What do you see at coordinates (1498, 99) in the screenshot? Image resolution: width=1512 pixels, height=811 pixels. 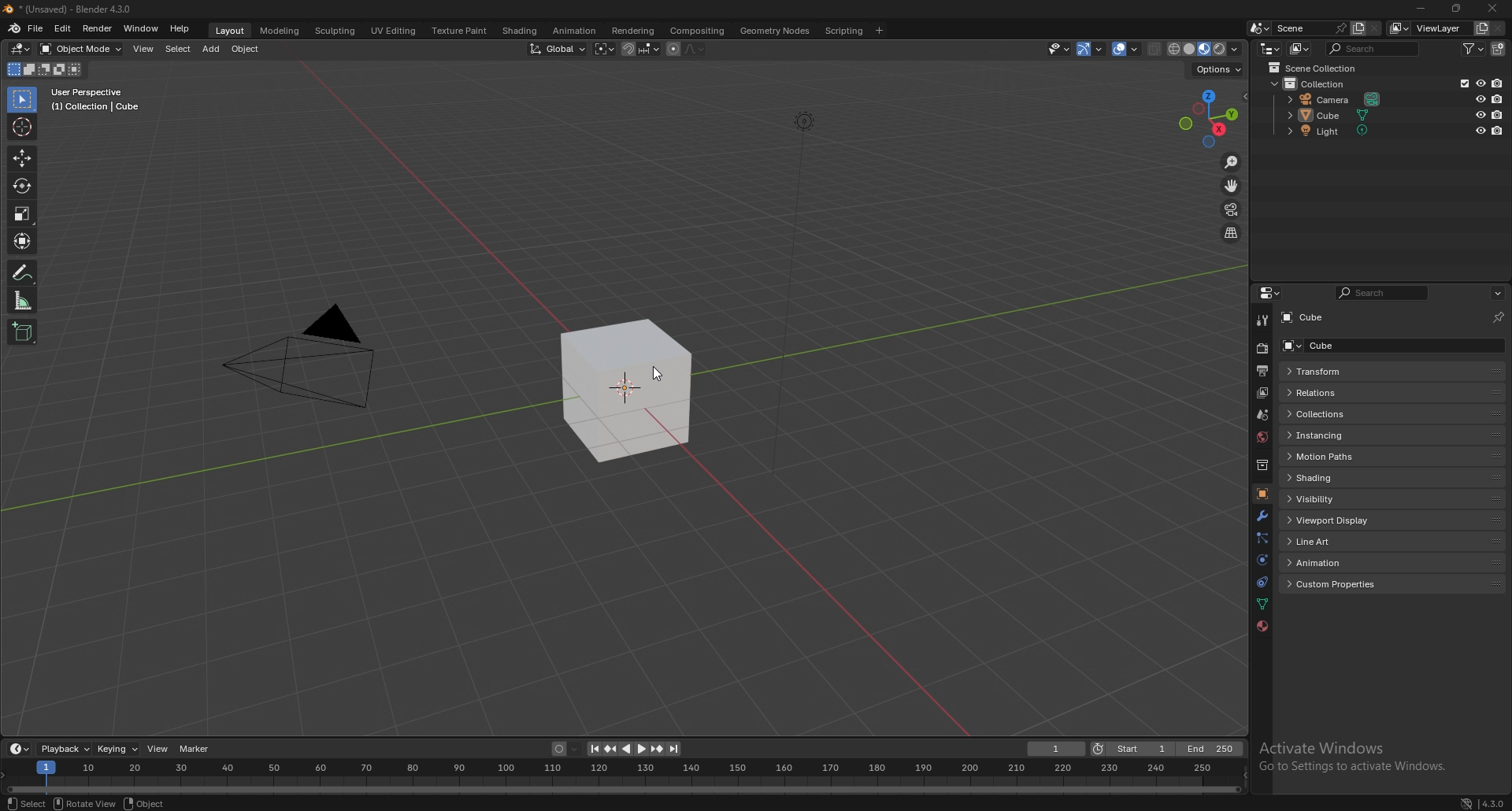 I see `disable in renders` at bounding box center [1498, 99].